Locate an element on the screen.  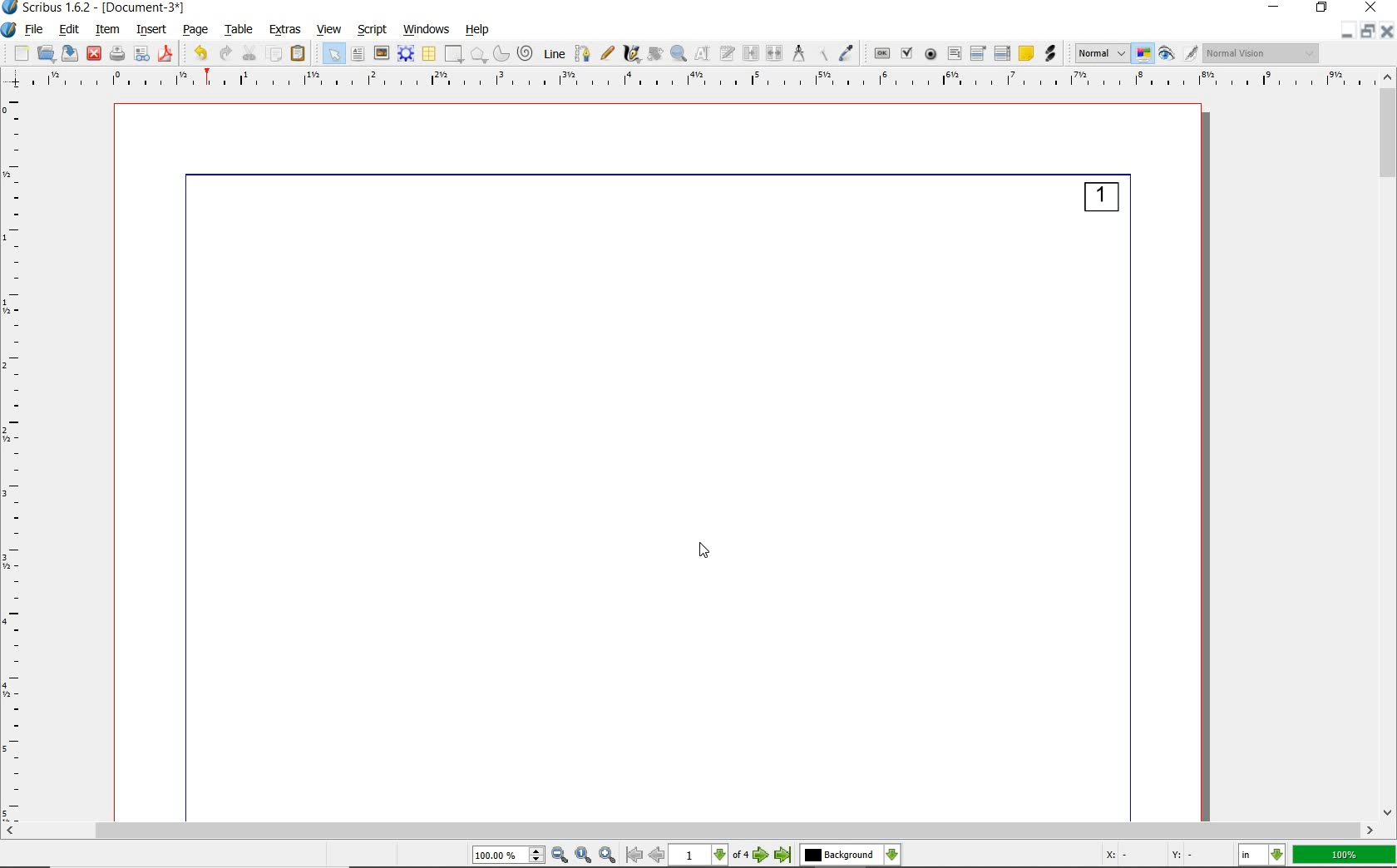
scrollbar is located at coordinates (1389, 445).